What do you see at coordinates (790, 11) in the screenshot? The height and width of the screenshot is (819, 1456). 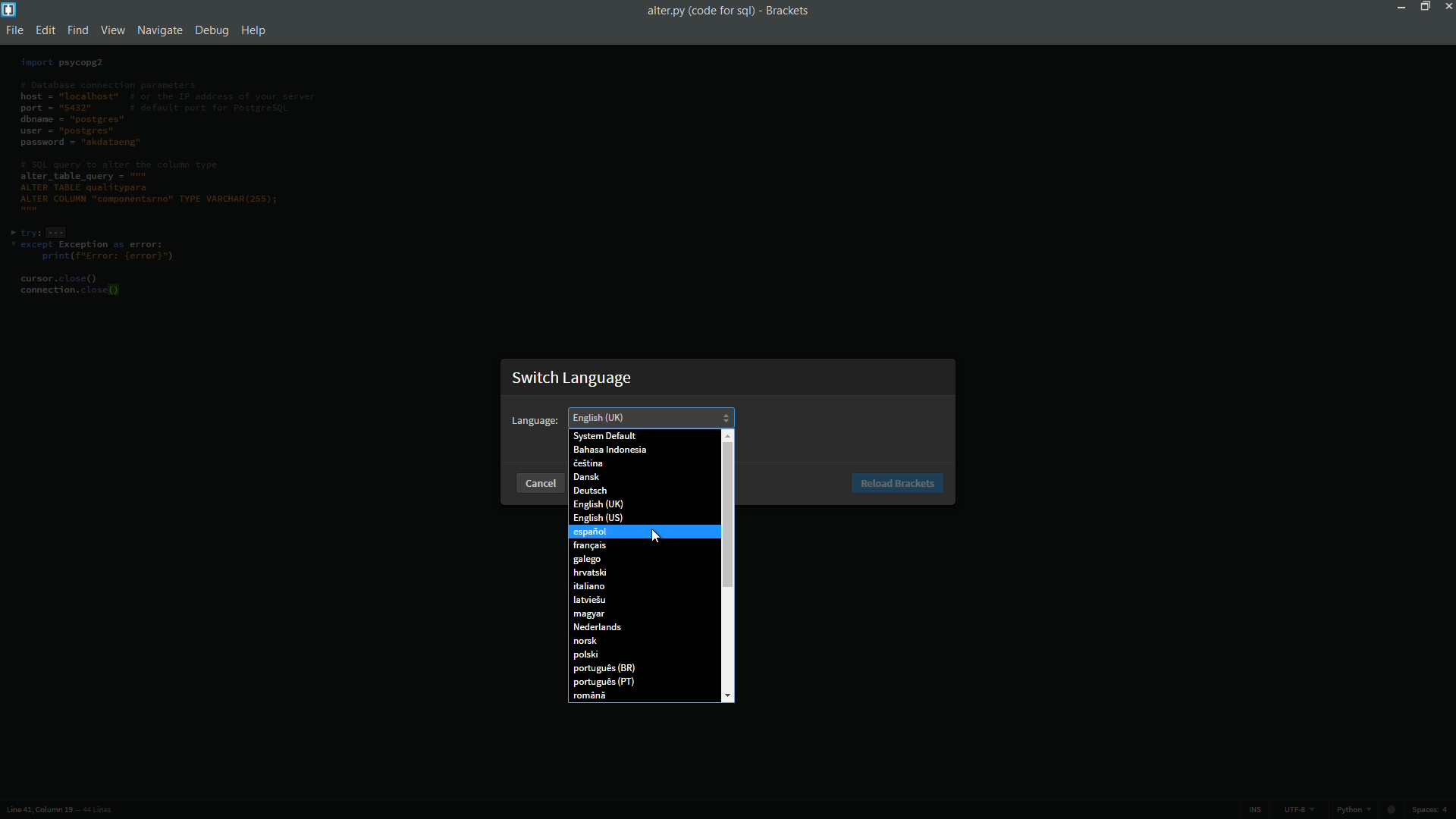 I see `app name` at bounding box center [790, 11].